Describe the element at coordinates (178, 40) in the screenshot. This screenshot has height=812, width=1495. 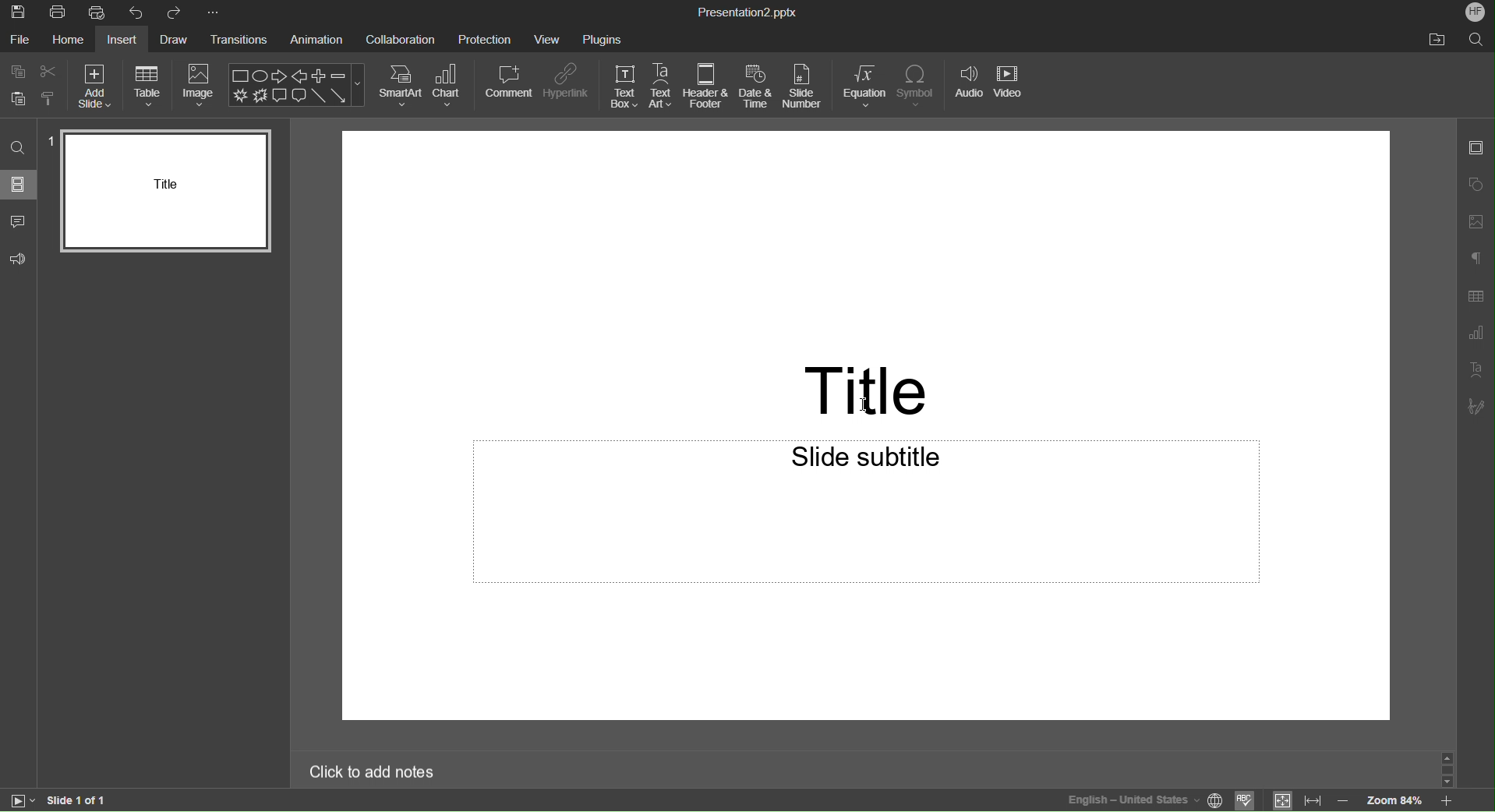
I see `Draw` at that location.